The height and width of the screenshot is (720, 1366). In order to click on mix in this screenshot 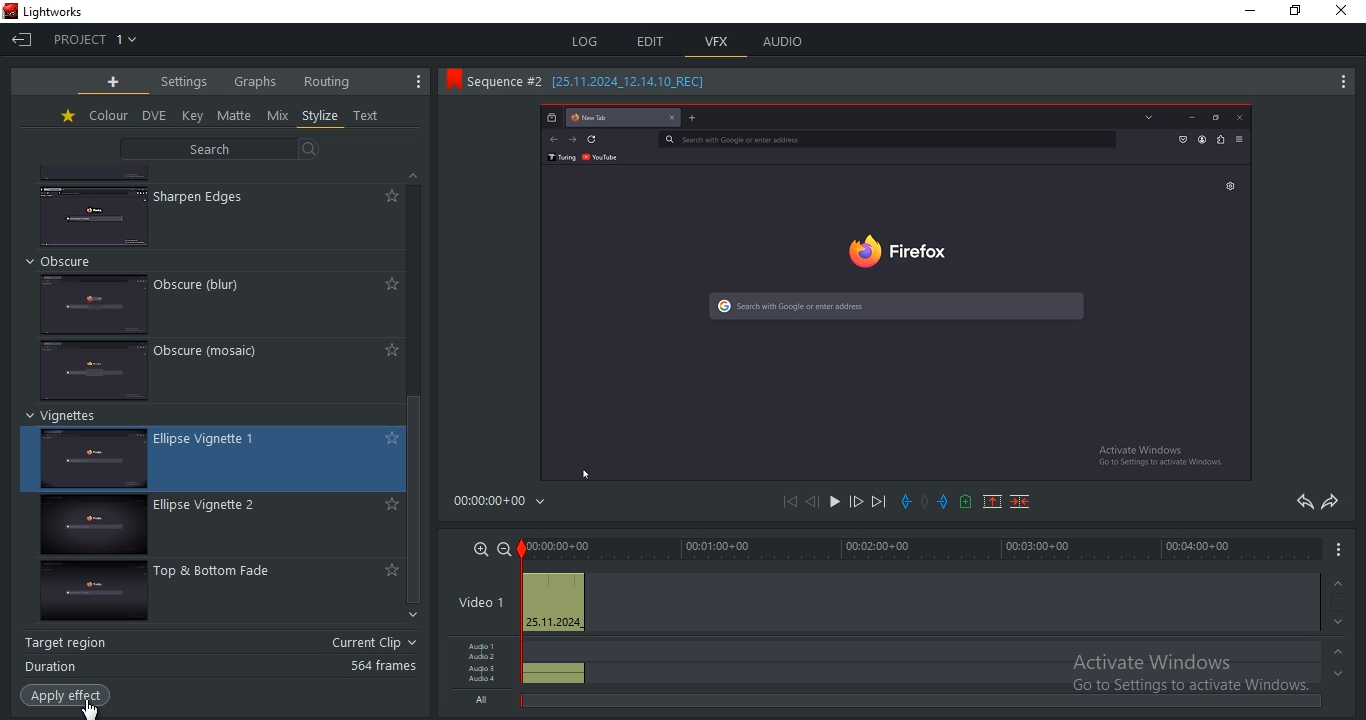, I will do `click(278, 116)`.